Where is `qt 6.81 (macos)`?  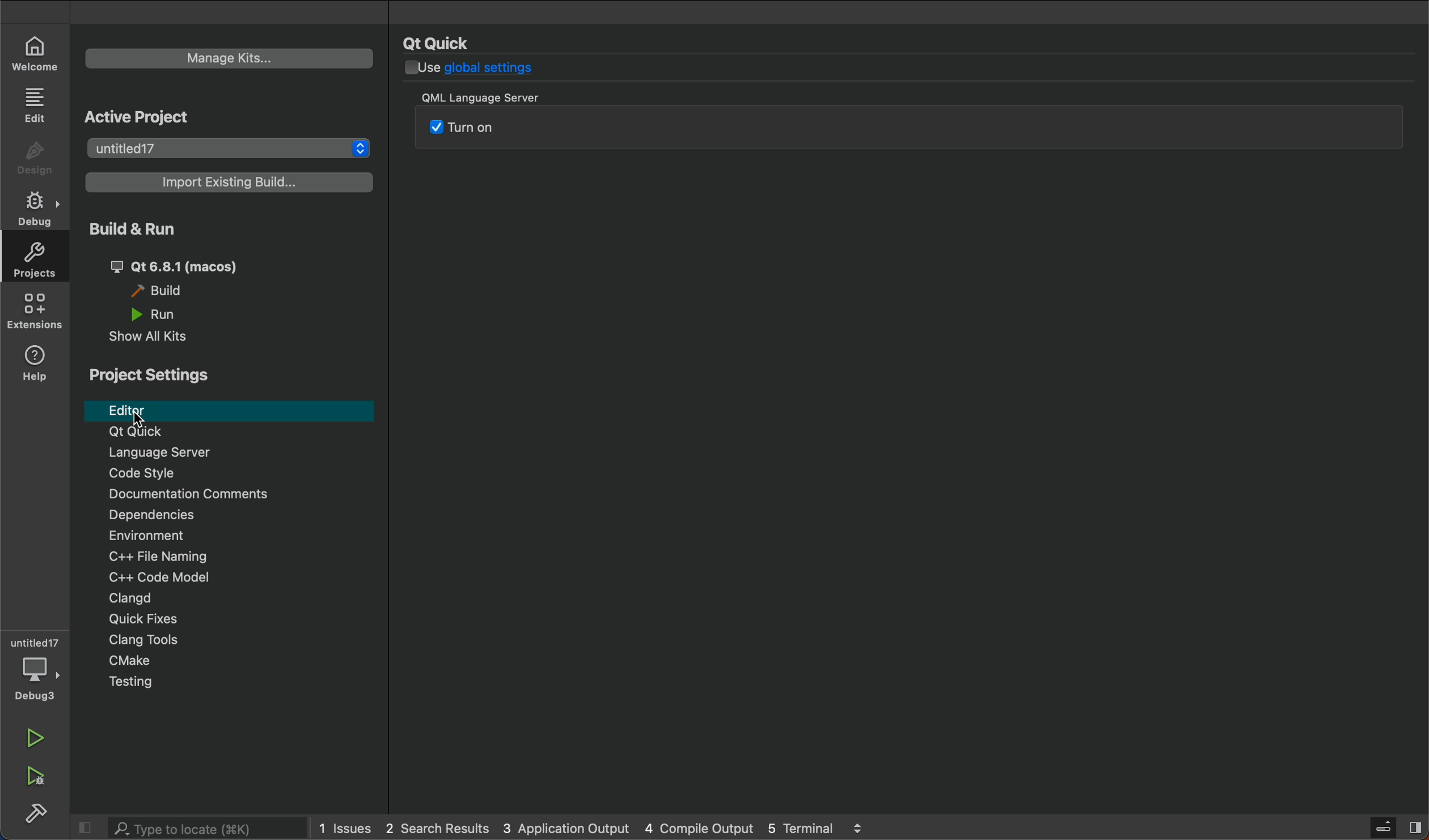 qt 6.81 (macos) is located at coordinates (230, 265).